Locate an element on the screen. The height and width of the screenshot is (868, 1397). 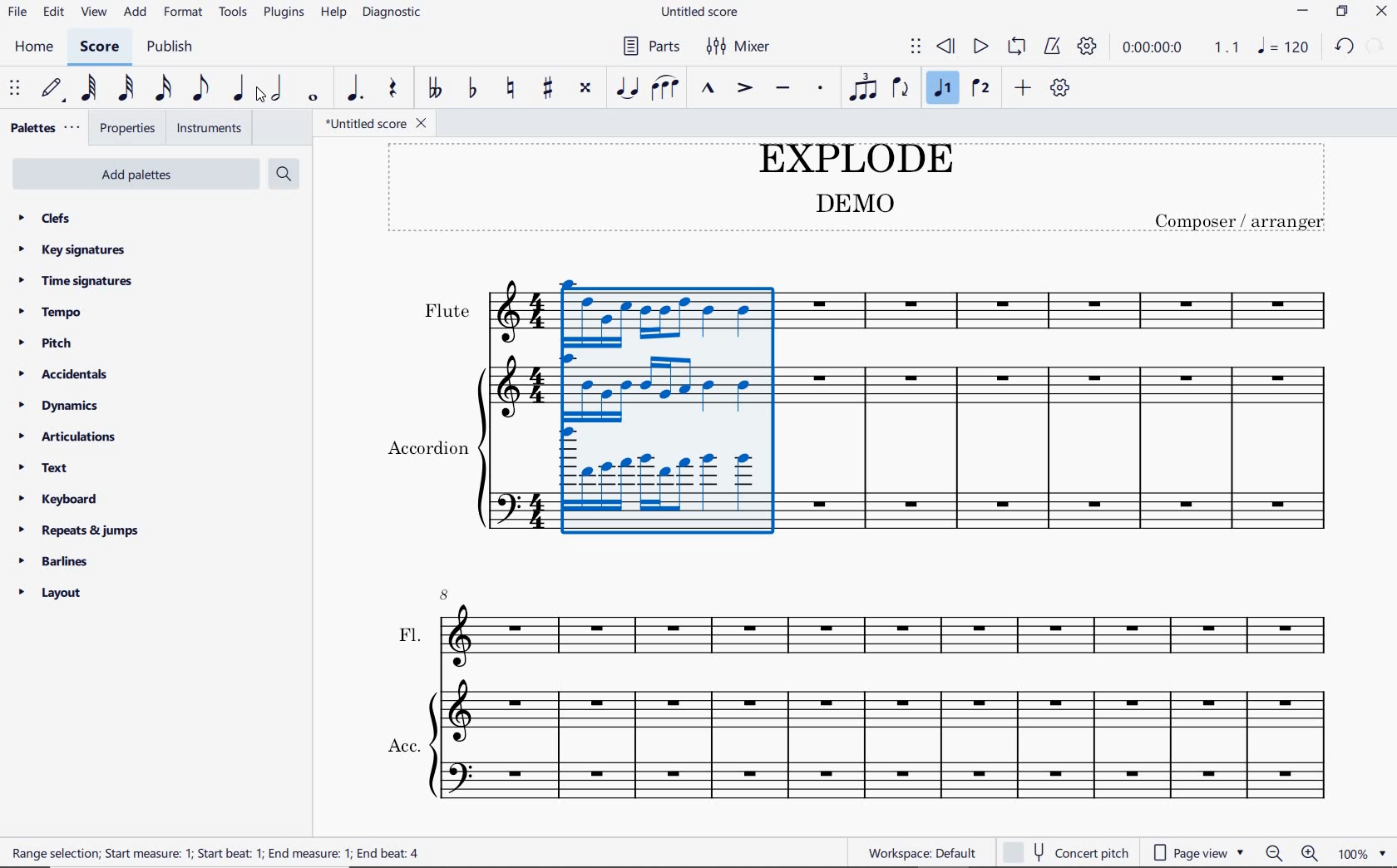
score is located at coordinates (100, 47).